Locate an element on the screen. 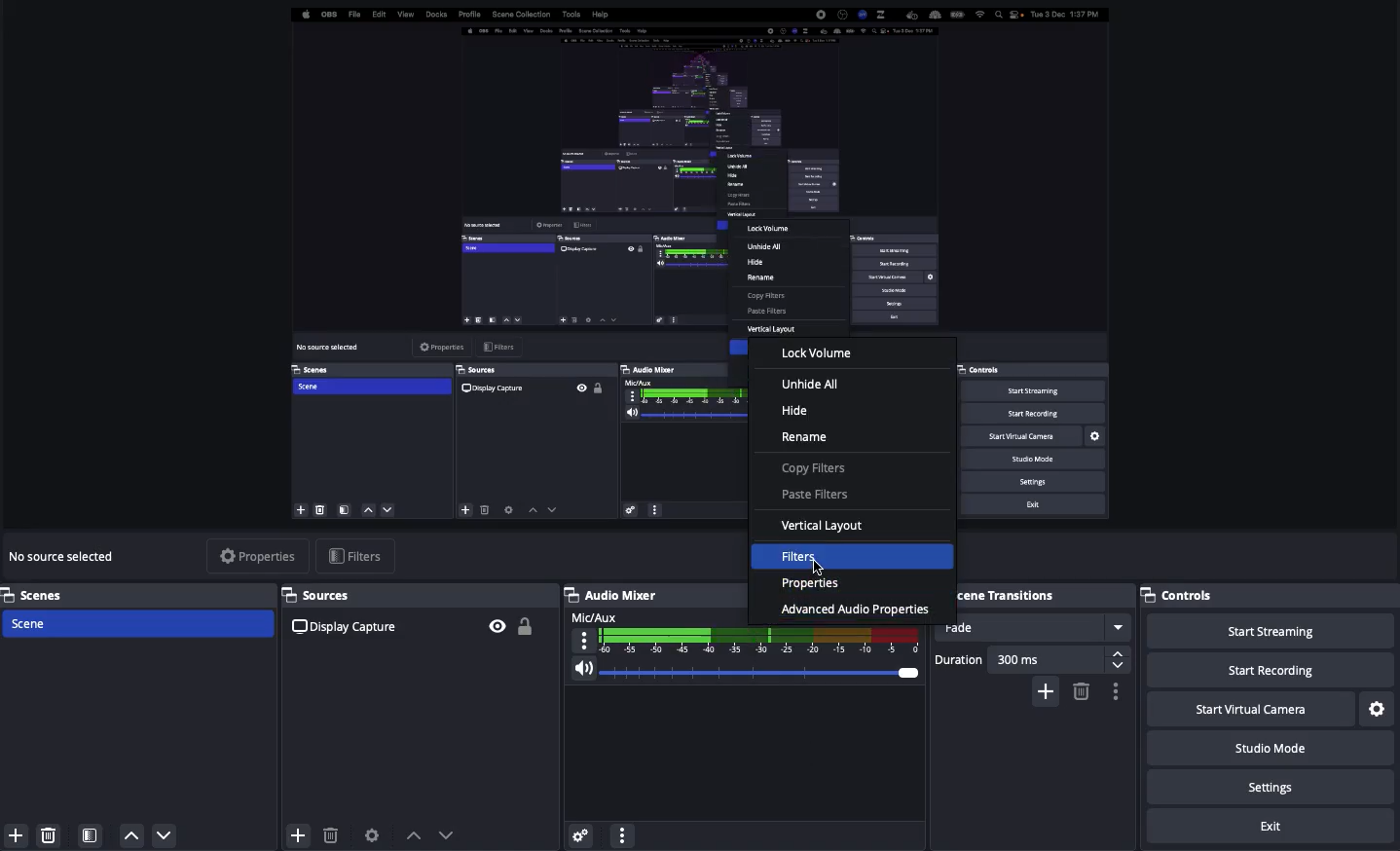 This screenshot has height=851, width=1400. Display capture is located at coordinates (350, 626).